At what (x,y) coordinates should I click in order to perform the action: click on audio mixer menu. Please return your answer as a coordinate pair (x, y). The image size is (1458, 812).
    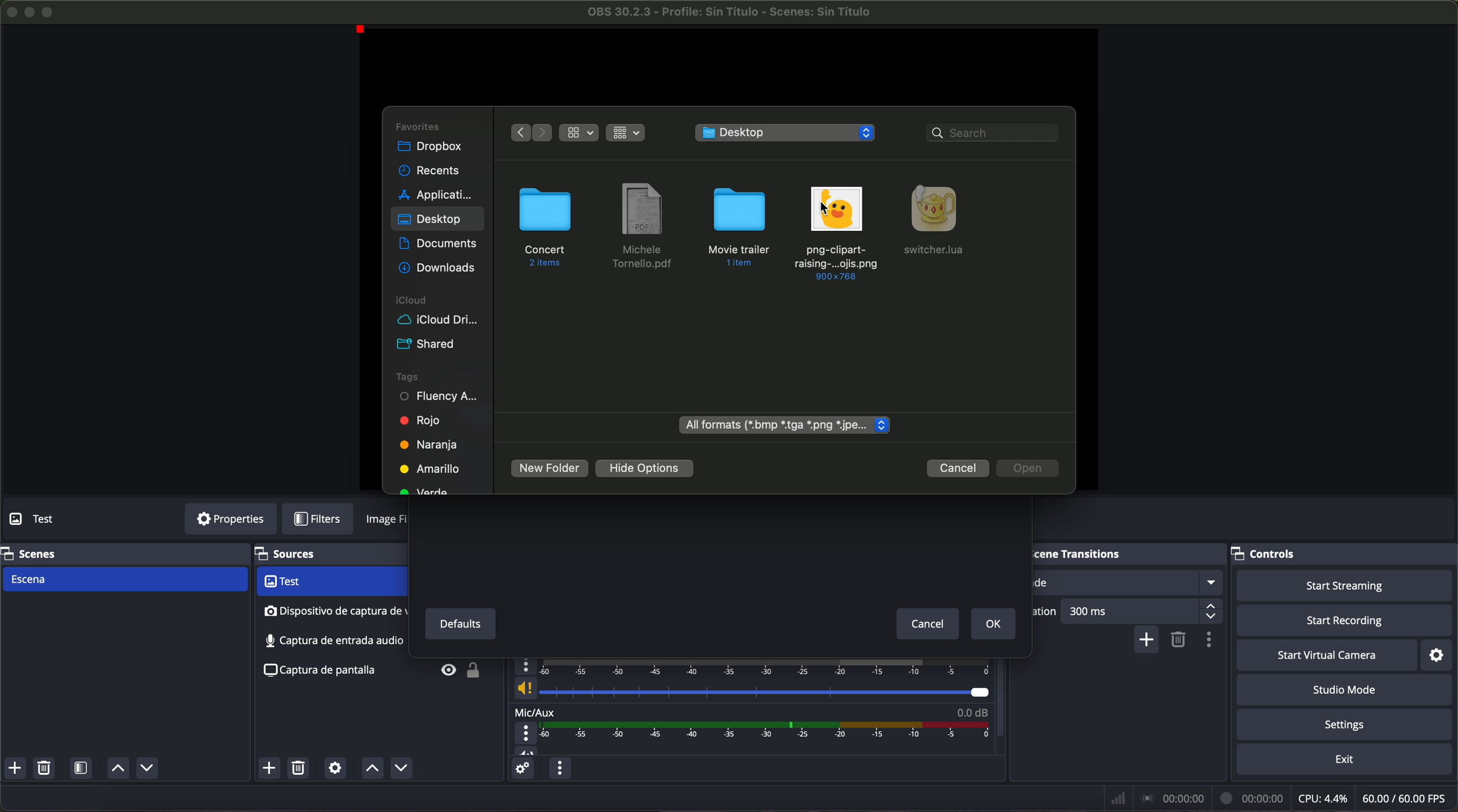
    Looking at the image, I should click on (559, 768).